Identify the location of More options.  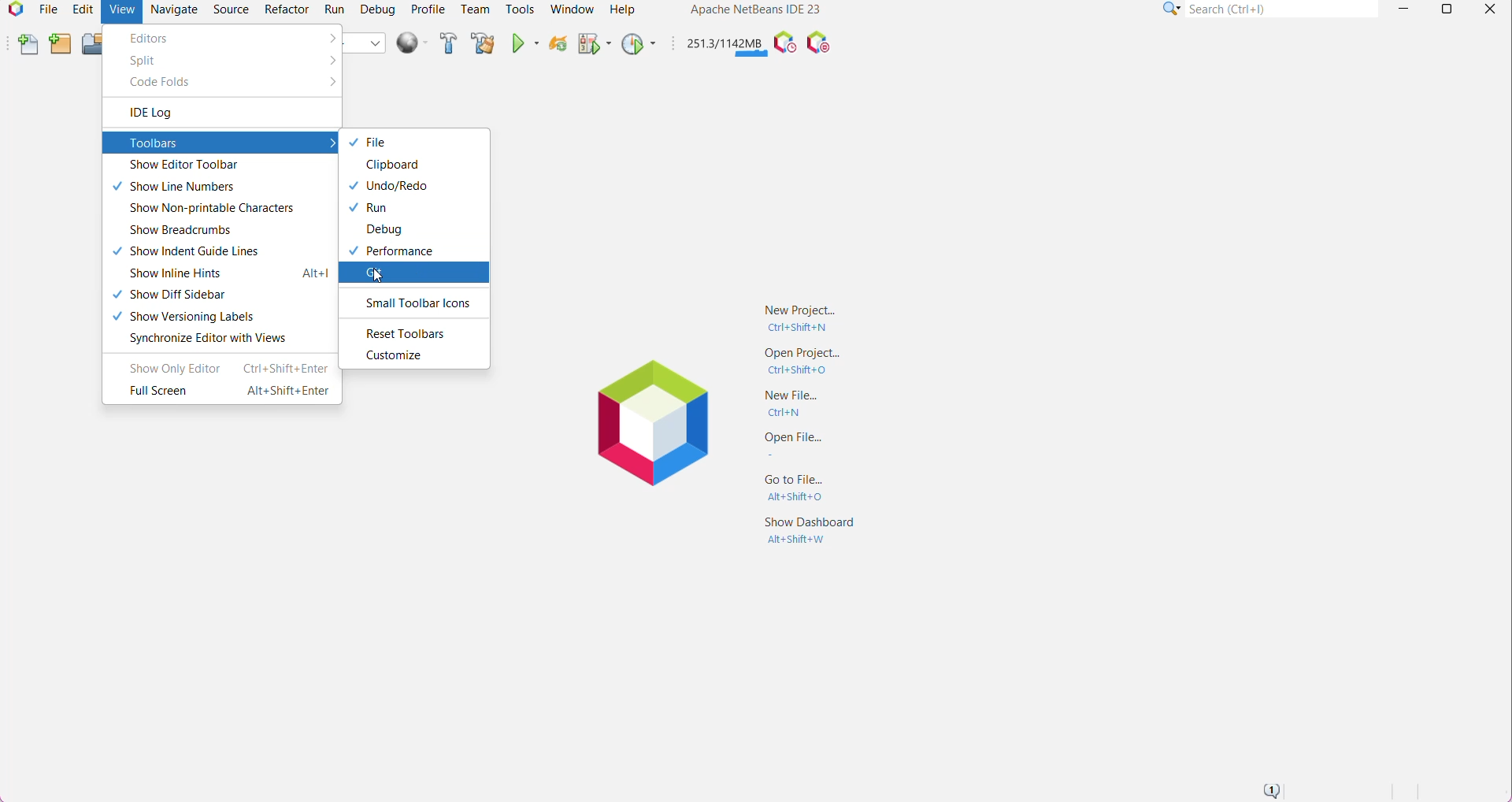
(328, 83).